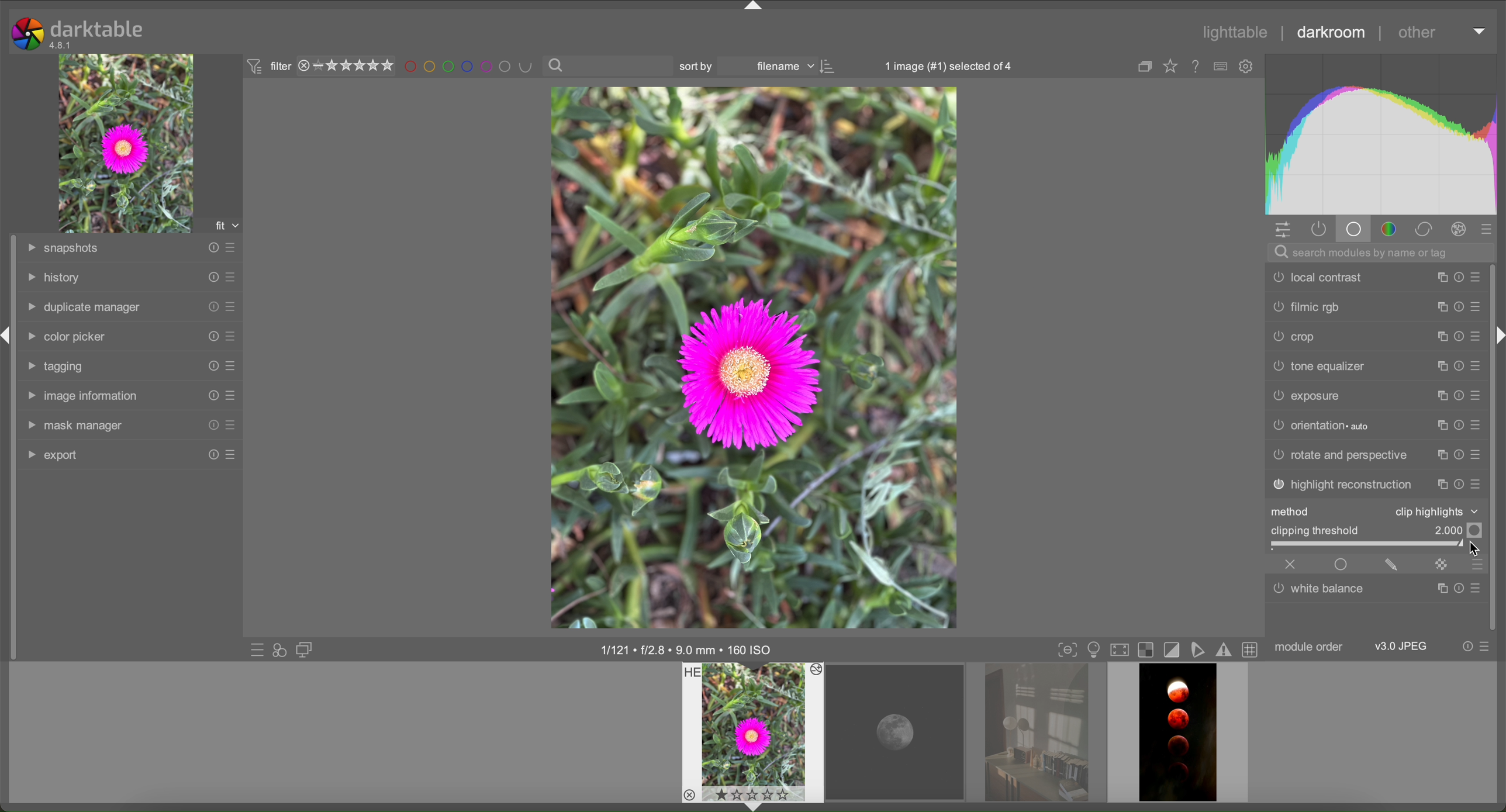  Describe the element at coordinates (1441, 457) in the screenshot. I see `copy` at that location.